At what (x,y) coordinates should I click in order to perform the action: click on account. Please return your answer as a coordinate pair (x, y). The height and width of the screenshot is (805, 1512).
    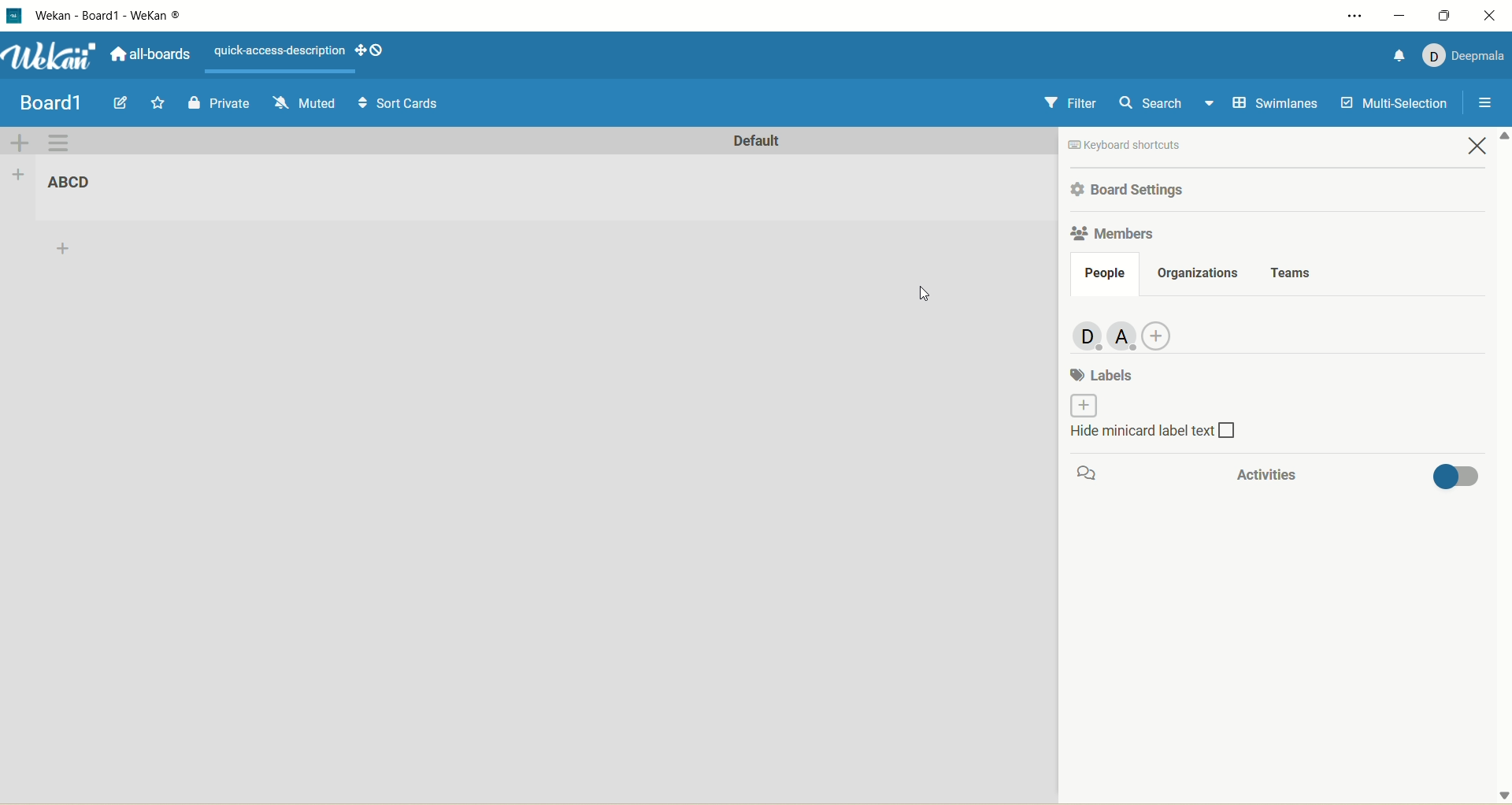
    Looking at the image, I should click on (1464, 57).